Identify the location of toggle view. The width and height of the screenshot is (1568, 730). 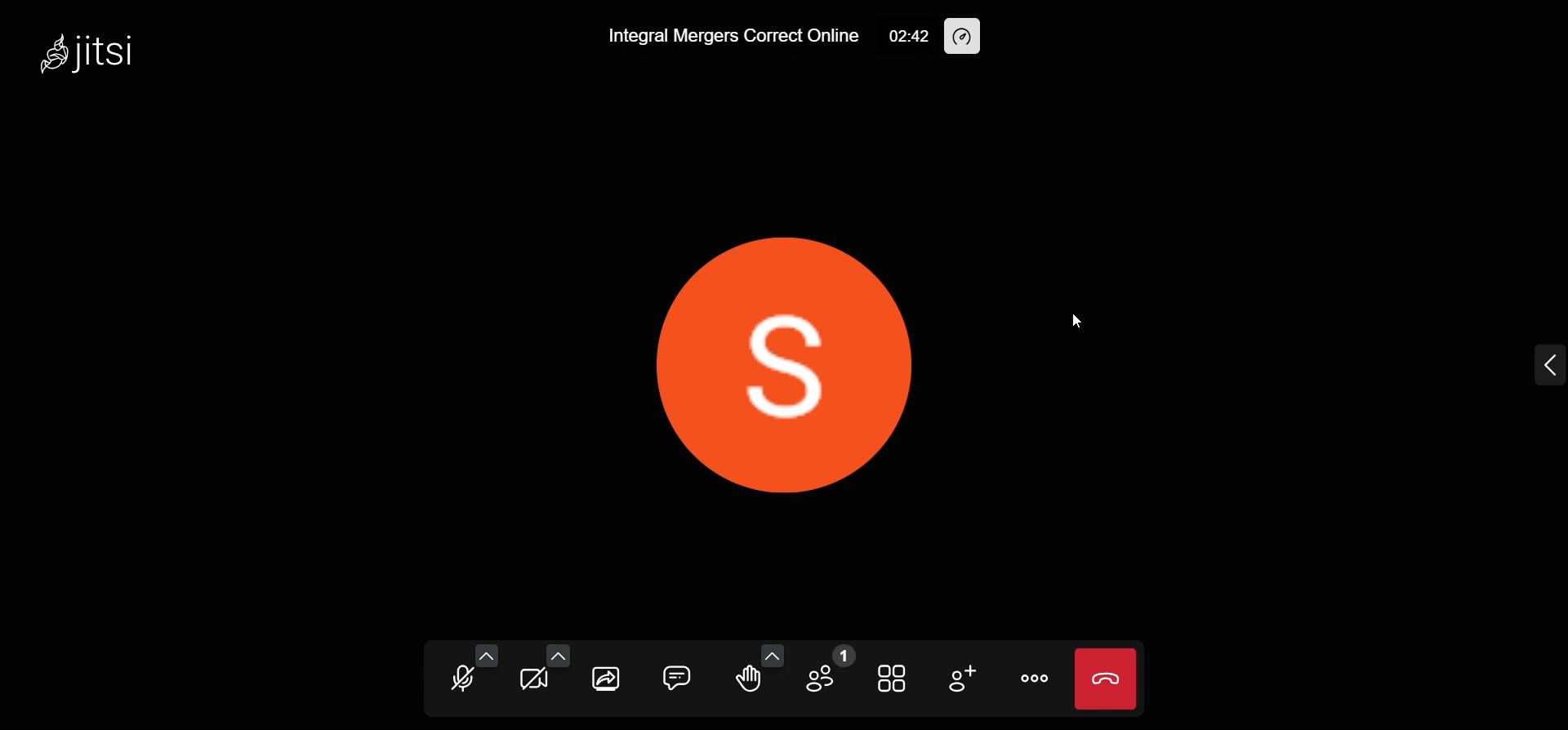
(890, 679).